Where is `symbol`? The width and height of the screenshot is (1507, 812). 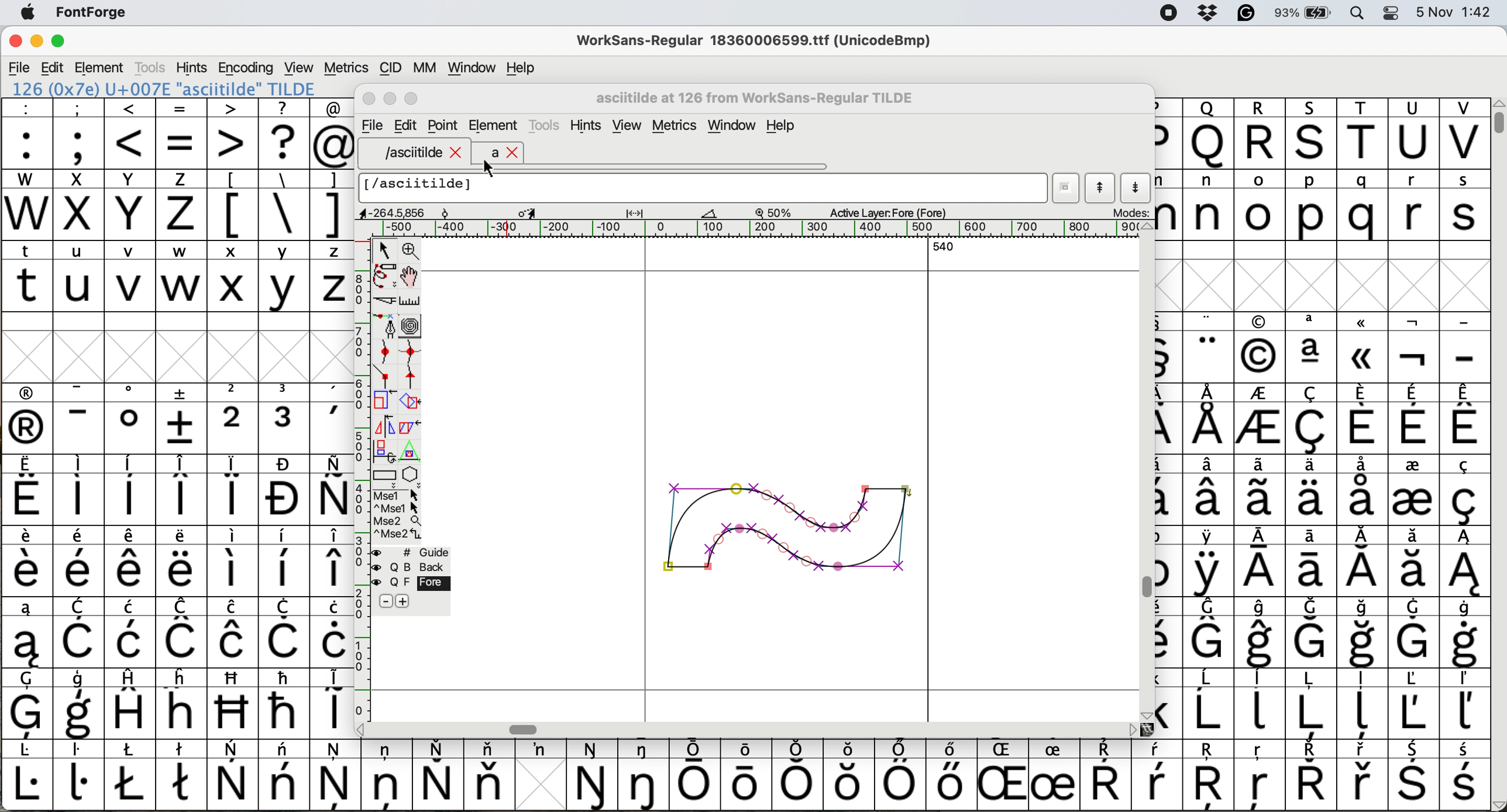
symbol is located at coordinates (1464, 633).